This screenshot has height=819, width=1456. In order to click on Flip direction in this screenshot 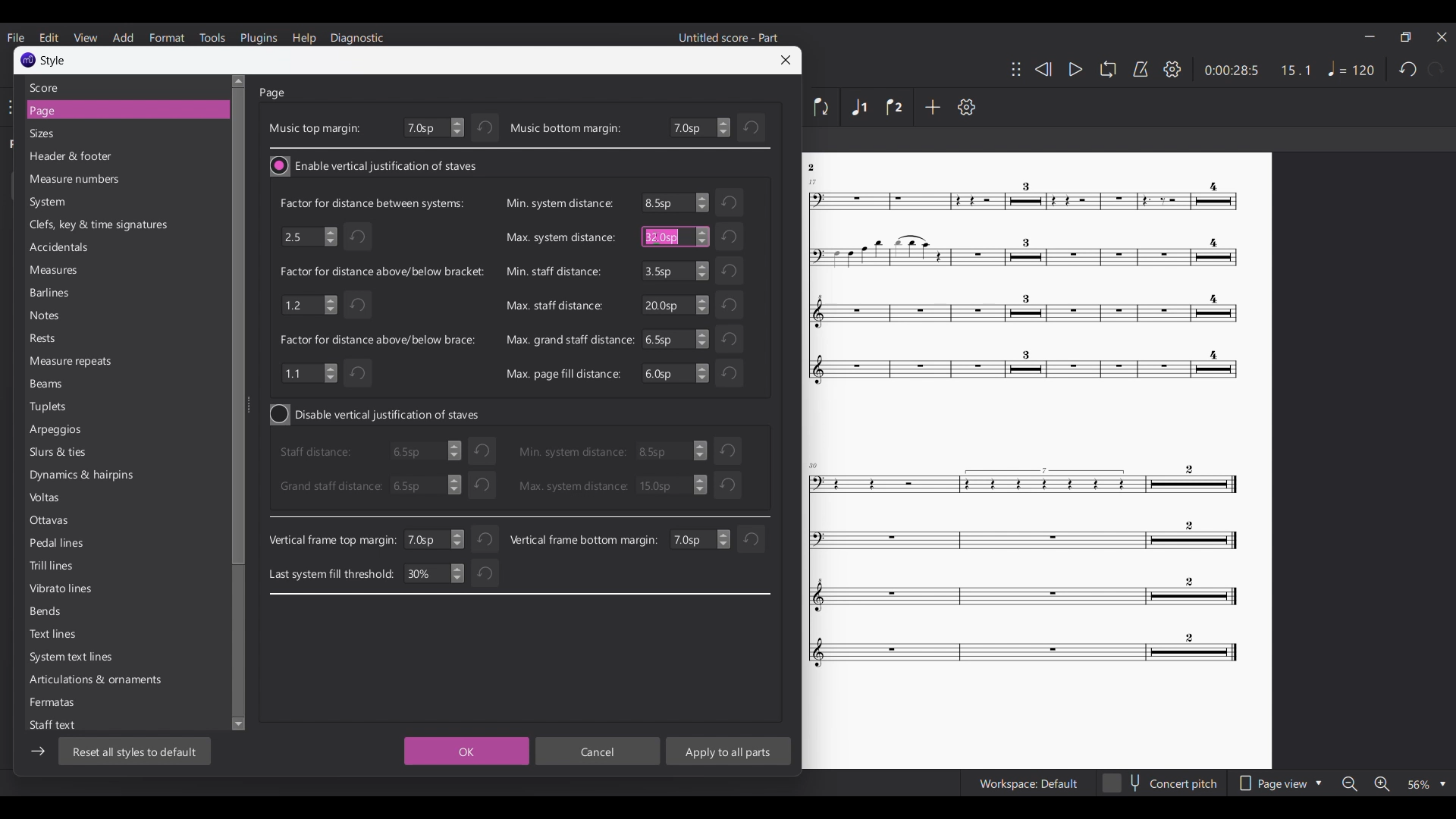, I will do `click(822, 107)`.